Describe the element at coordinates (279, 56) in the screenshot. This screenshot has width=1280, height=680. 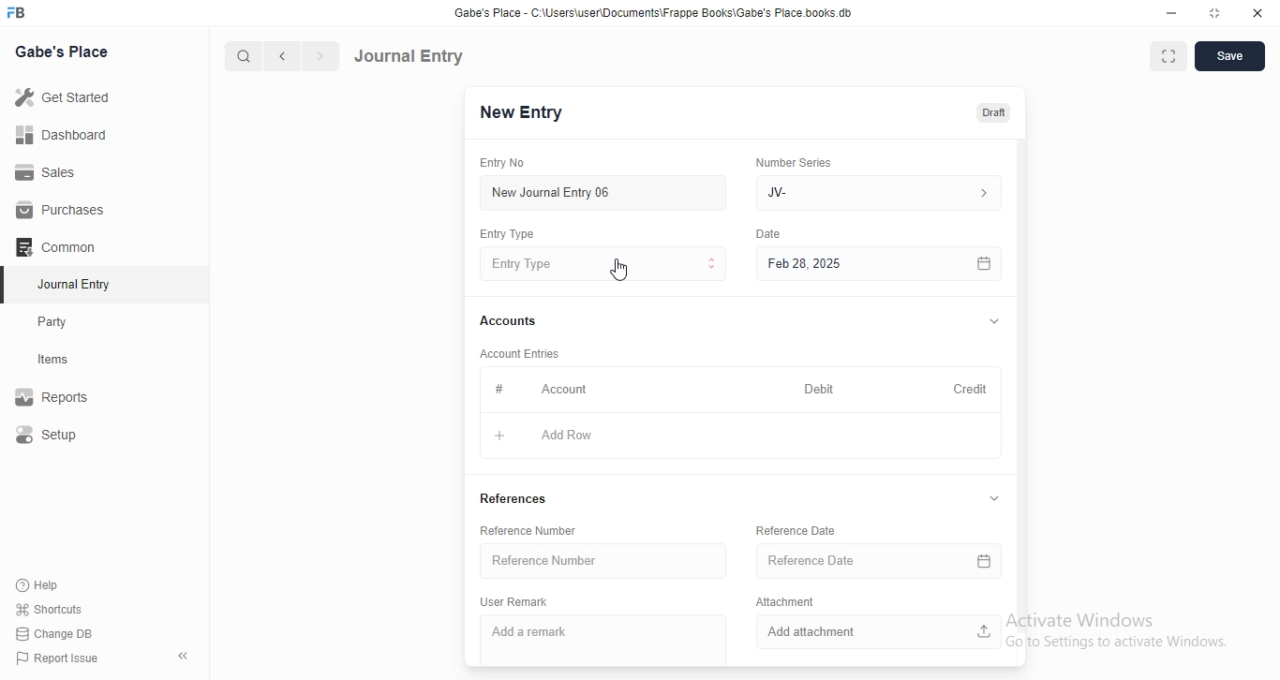
I see `previous` at that location.